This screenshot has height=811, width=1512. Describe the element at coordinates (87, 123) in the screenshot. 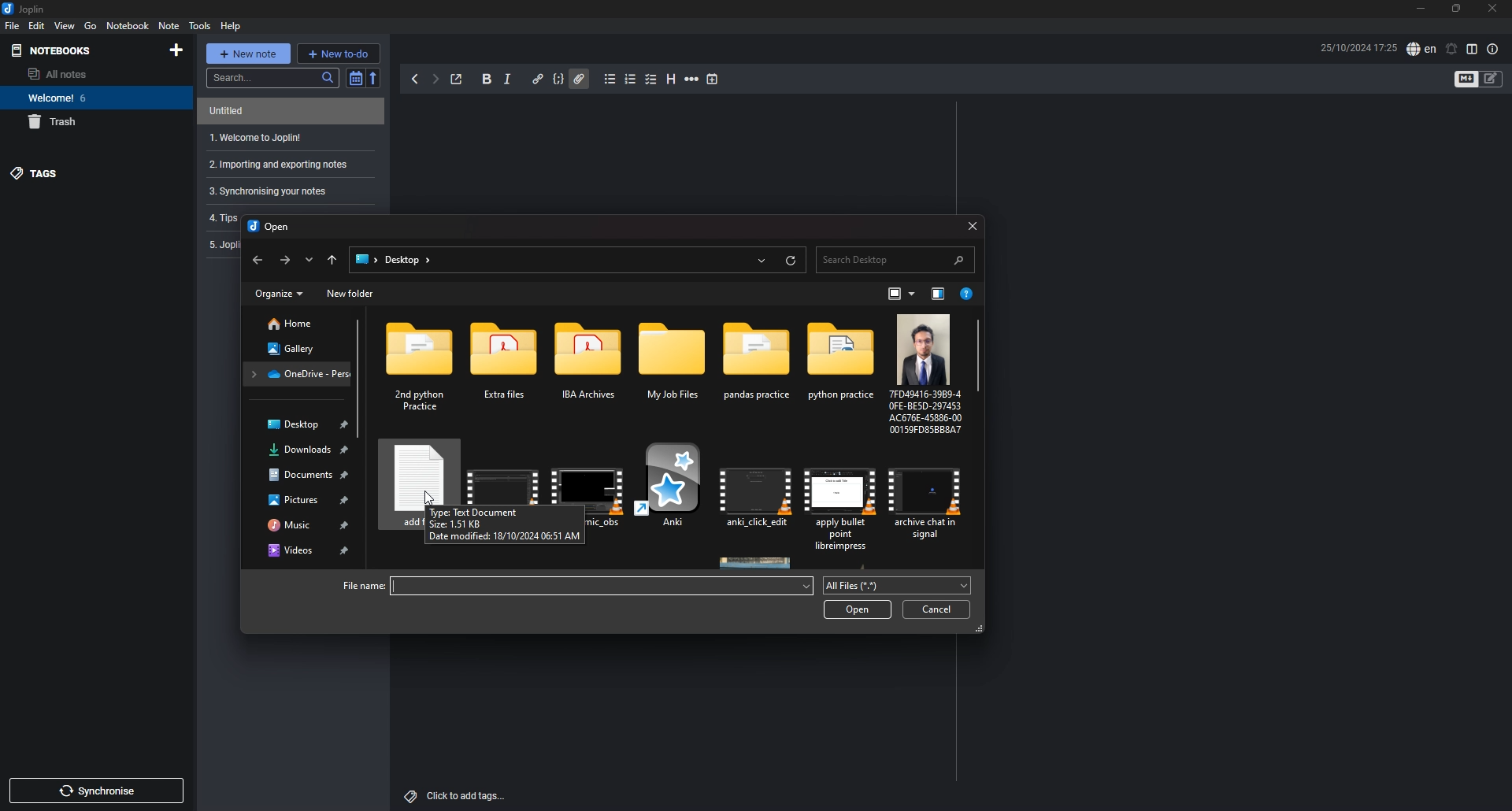

I see `trash` at that location.